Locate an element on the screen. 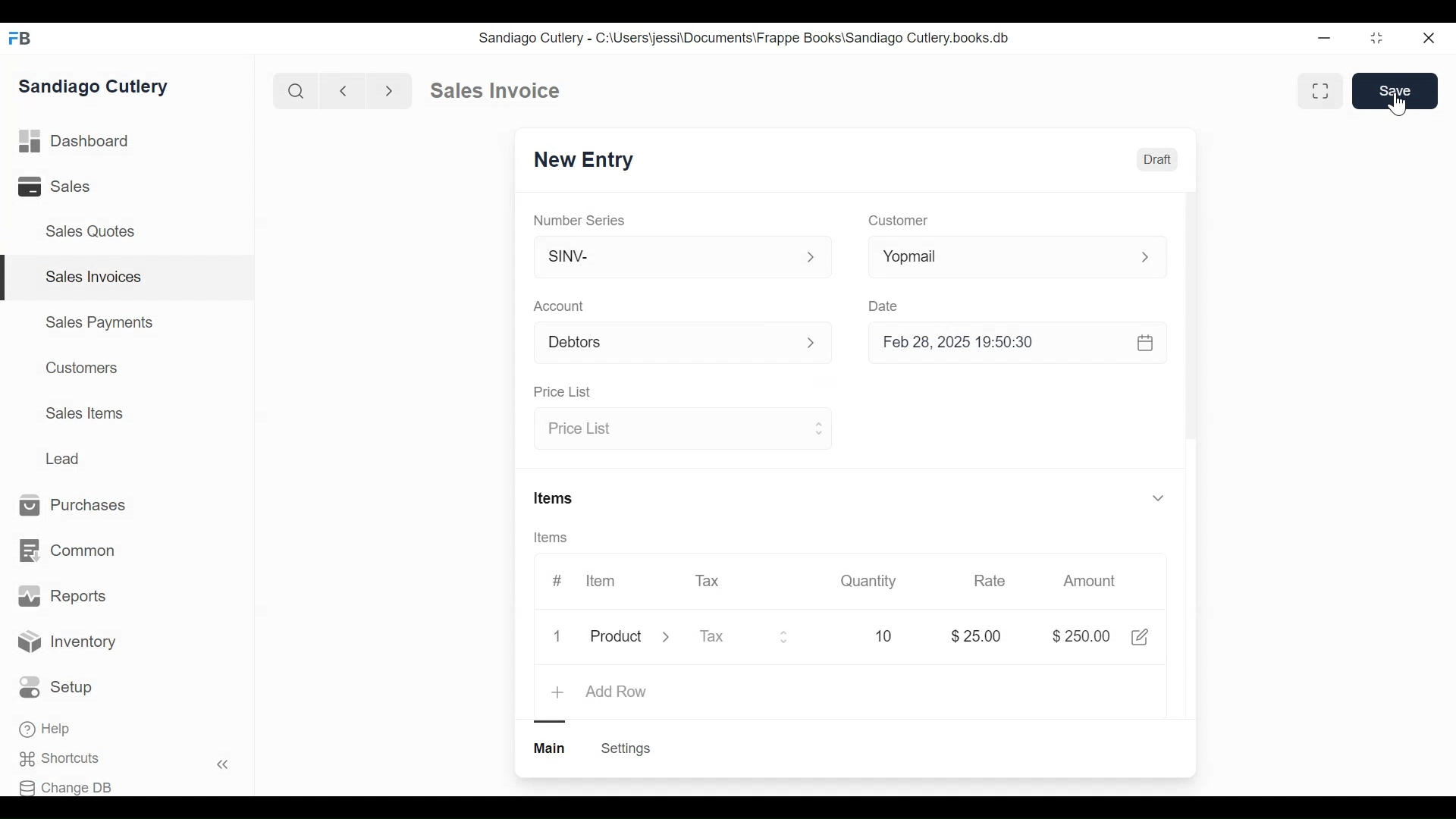 This screenshot has height=819, width=1456. Help is located at coordinates (46, 729).